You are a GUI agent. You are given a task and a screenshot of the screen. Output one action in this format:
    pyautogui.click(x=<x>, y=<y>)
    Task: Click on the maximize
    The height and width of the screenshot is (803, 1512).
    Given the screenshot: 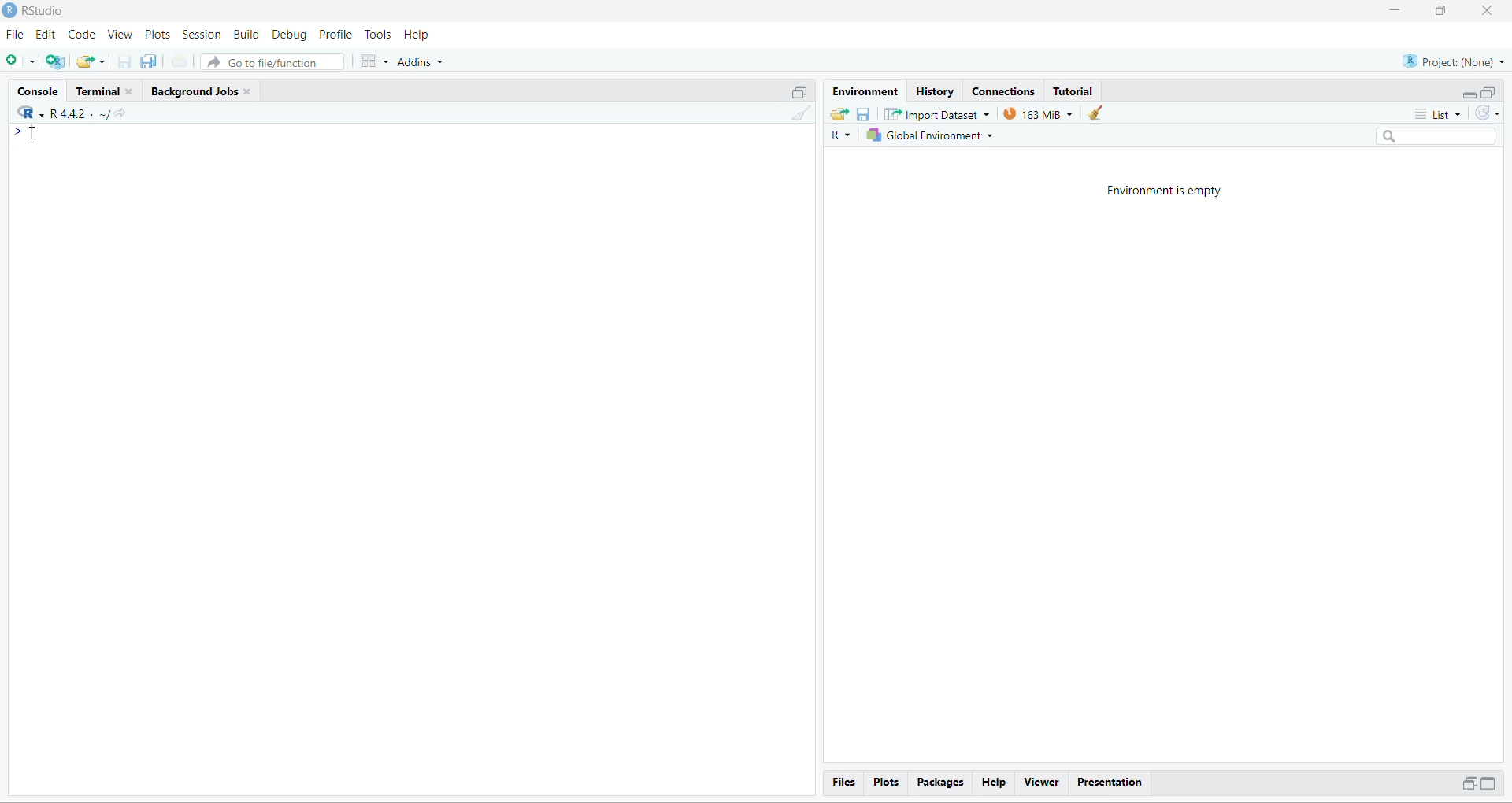 What is the action you would take?
    pyautogui.click(x=1488, y=92)
    